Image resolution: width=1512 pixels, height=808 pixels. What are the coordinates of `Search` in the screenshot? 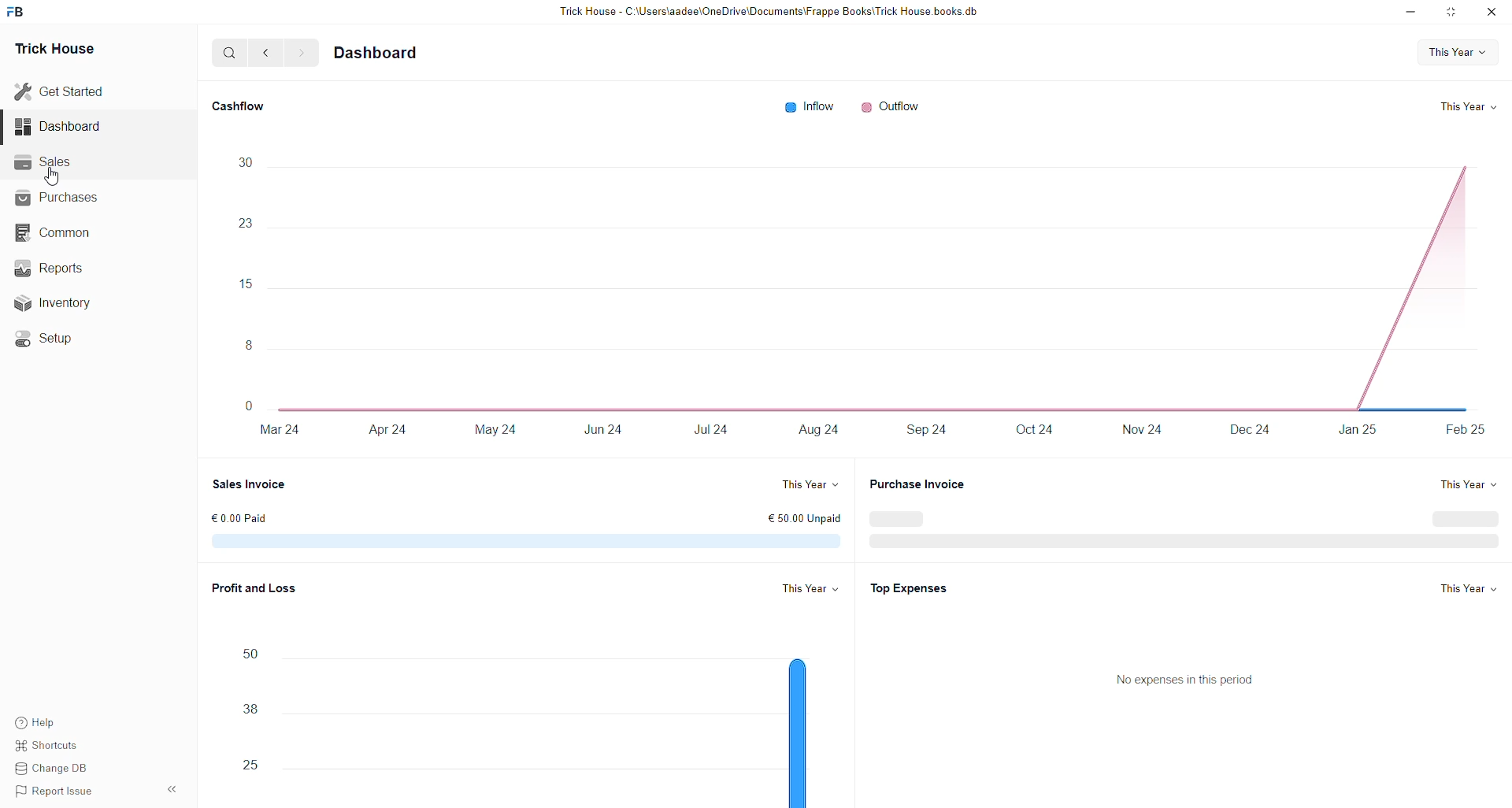 It's located at (229, 52).